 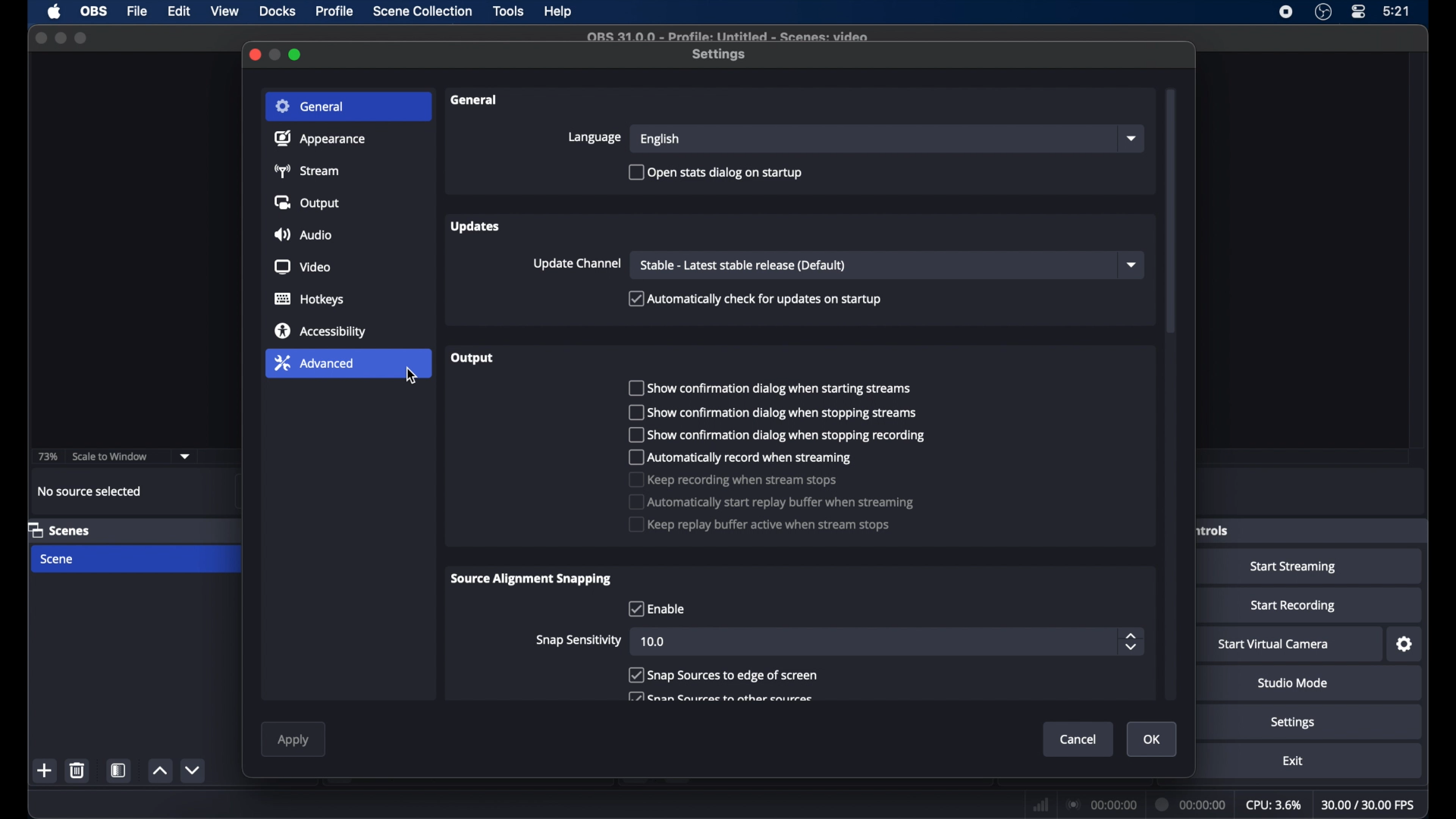 What do you see at coordinates (1294, 685) in the screenshot?
I see `studio mode` at bounding box center [1294, 685].